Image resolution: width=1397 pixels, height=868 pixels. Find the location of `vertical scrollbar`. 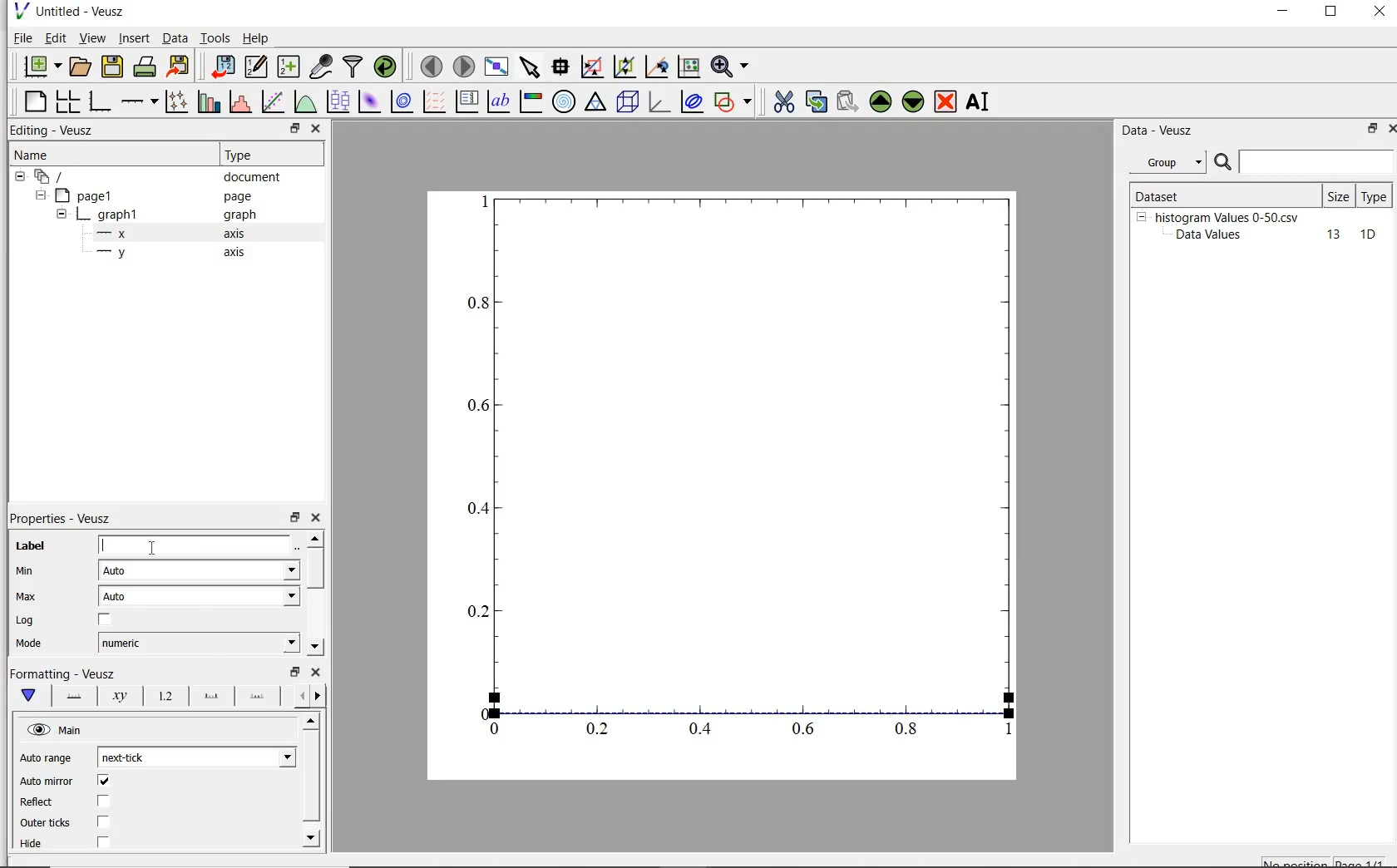

vertical scrollbar is located at coordinates (314, 568).